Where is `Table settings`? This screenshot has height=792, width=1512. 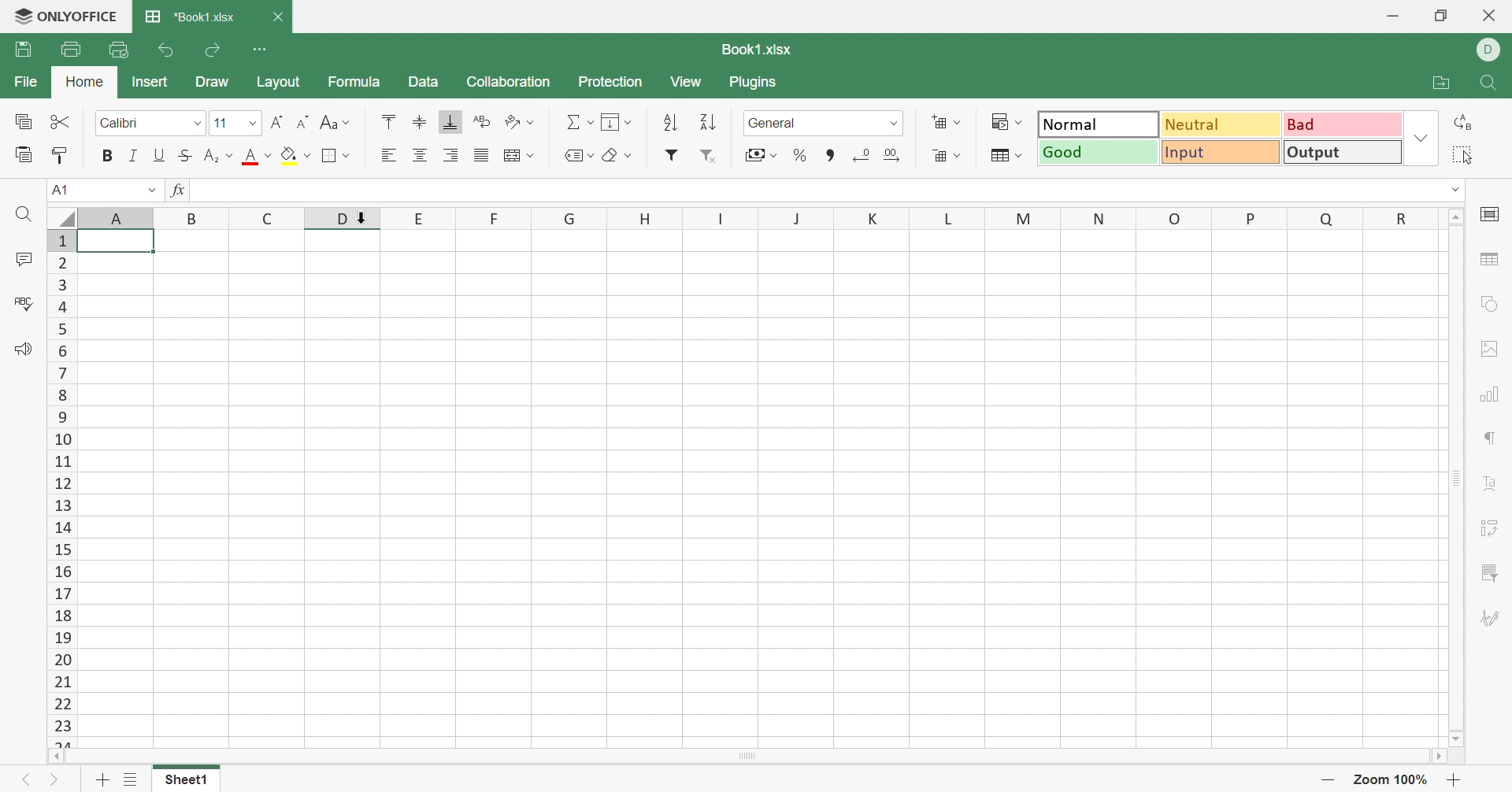 Table settings is located at coordinates (1492, 258).